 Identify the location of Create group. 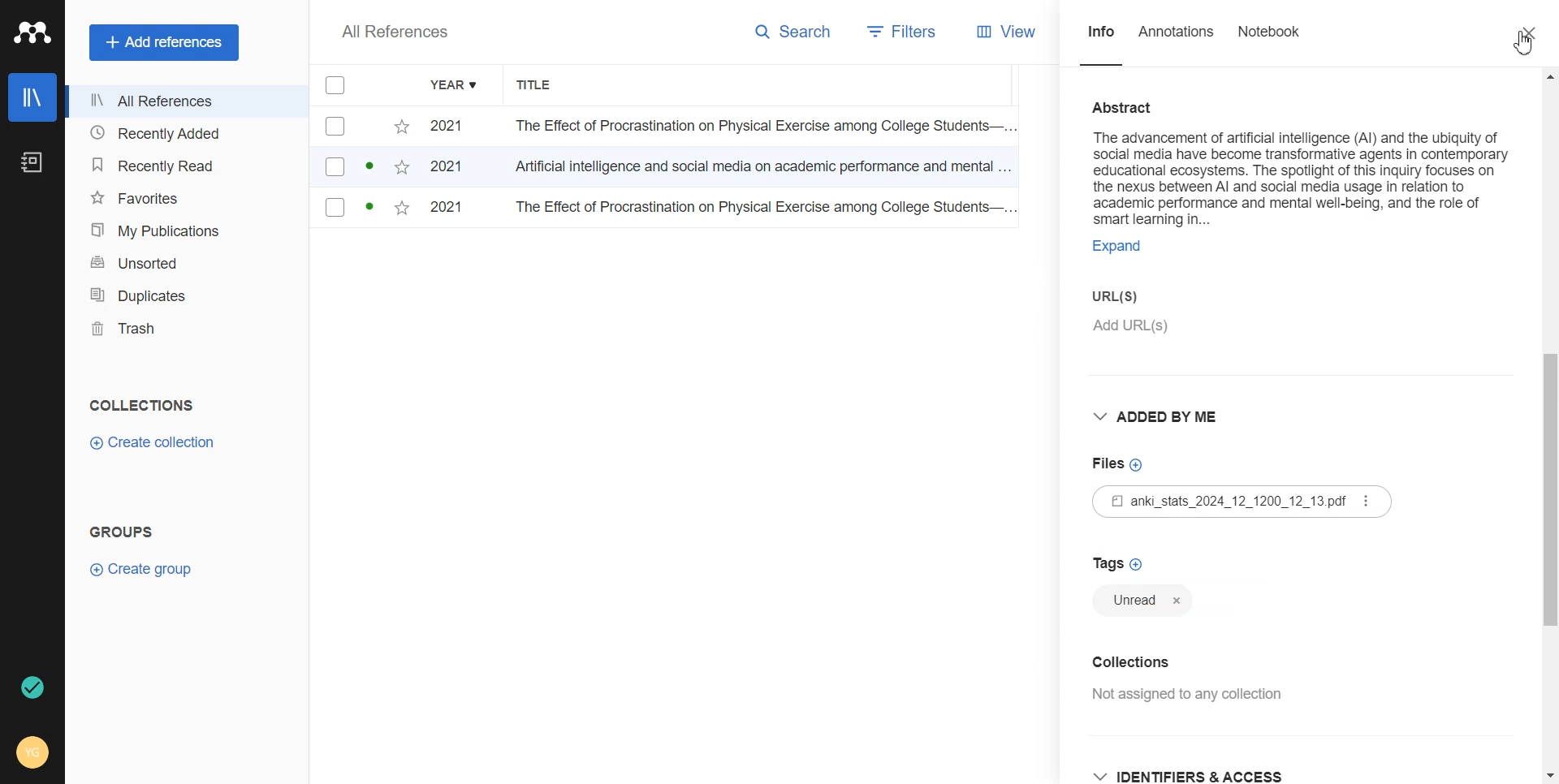
(140, 569).